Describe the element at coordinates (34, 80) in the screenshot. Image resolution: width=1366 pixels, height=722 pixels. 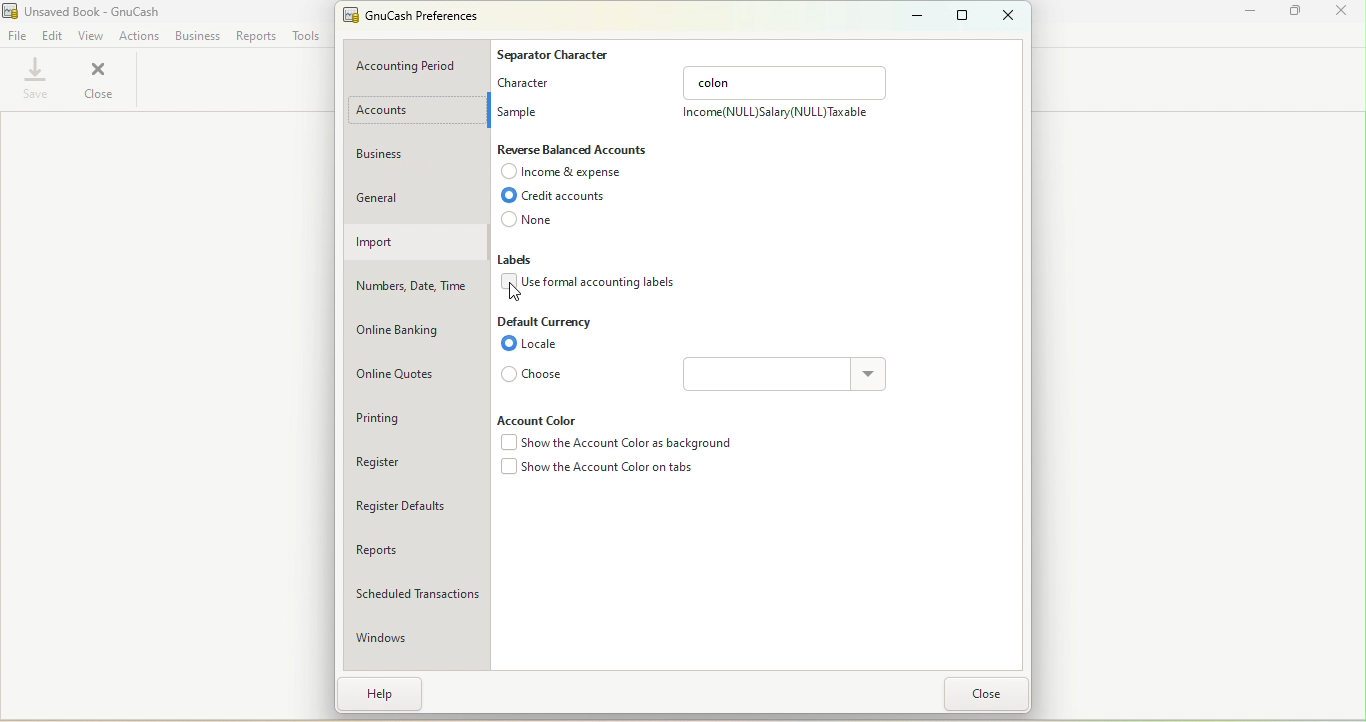
I see `Save` at that location.